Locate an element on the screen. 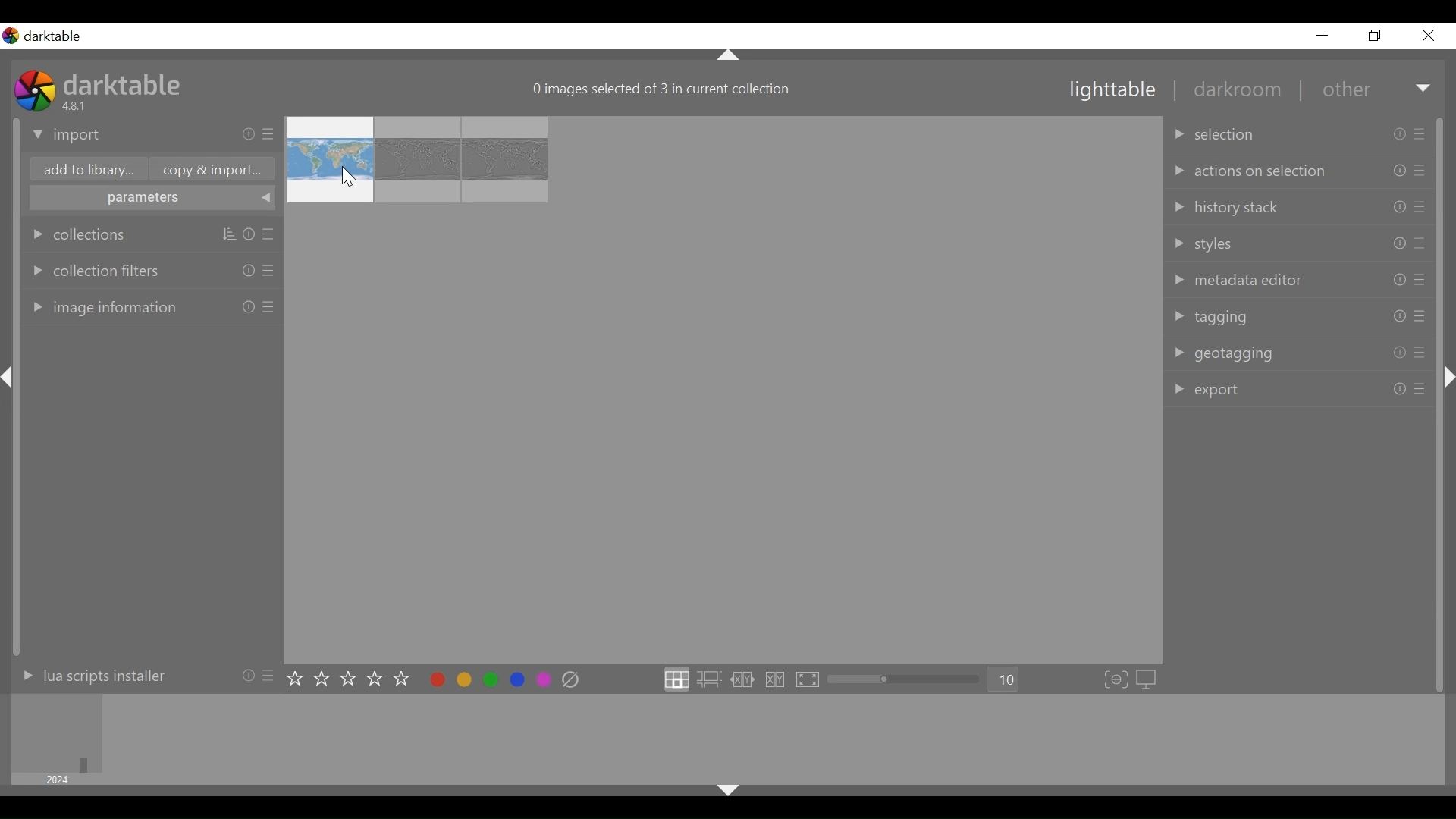 The width and height of the screenshot is (1456, 819). Add to library is located at coordinates (84, 169).